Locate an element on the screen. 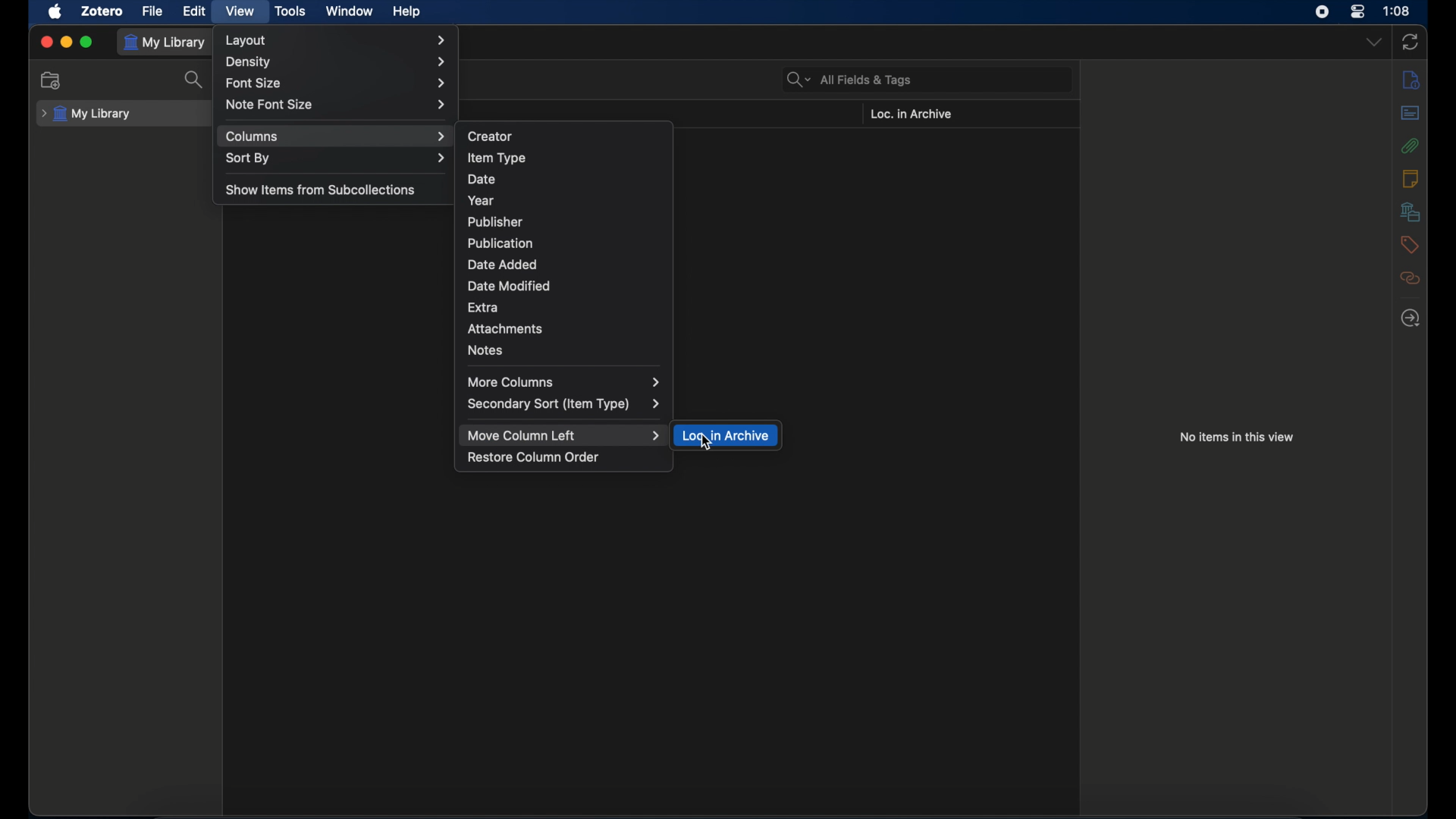  note font size is located at coordinates (336, 104).